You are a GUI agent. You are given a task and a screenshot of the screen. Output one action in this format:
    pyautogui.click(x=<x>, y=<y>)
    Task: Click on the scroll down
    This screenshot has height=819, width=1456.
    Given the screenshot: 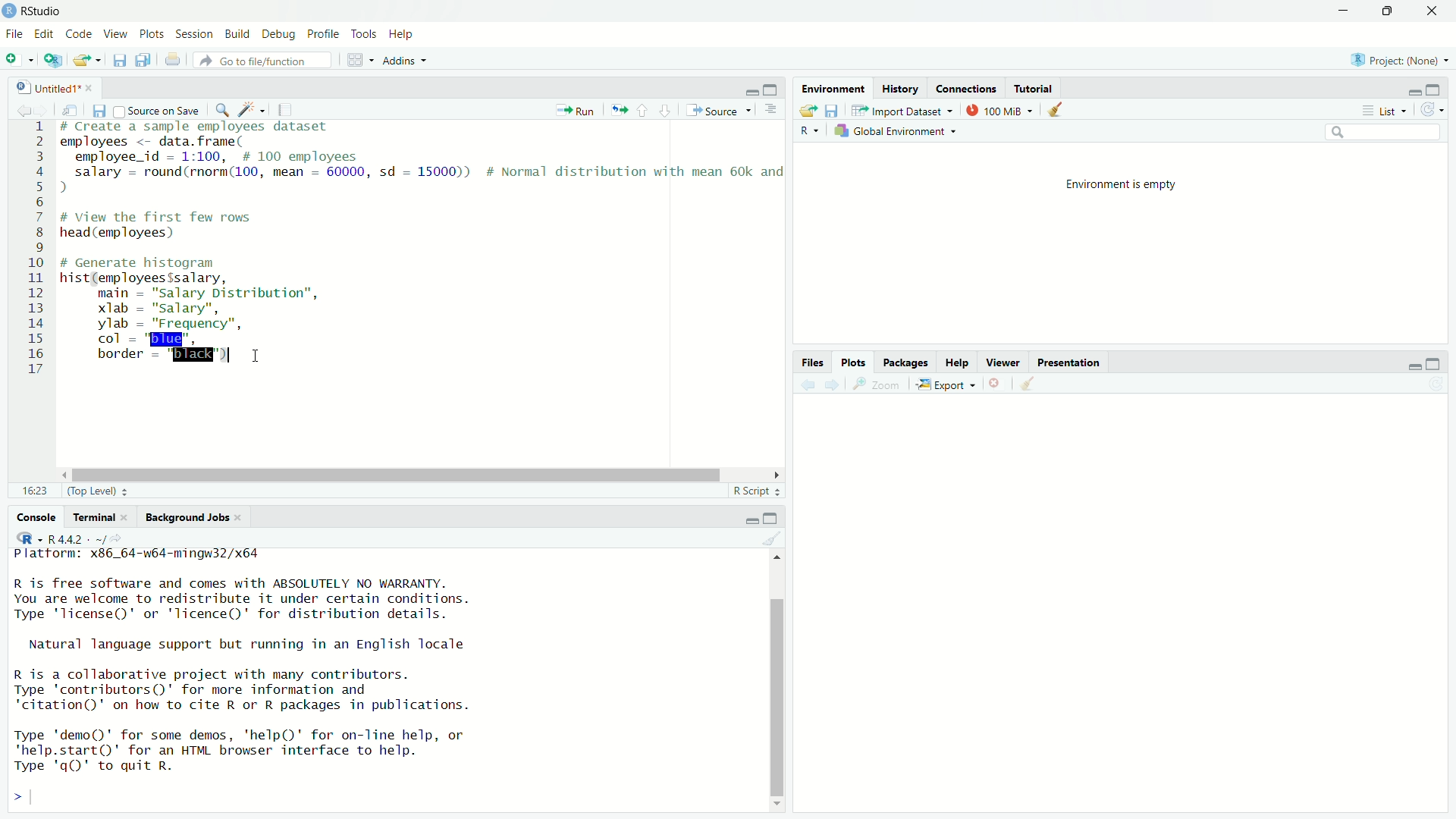 What is the action you would take?
    pyautogui.click(x=778, y=802)
    